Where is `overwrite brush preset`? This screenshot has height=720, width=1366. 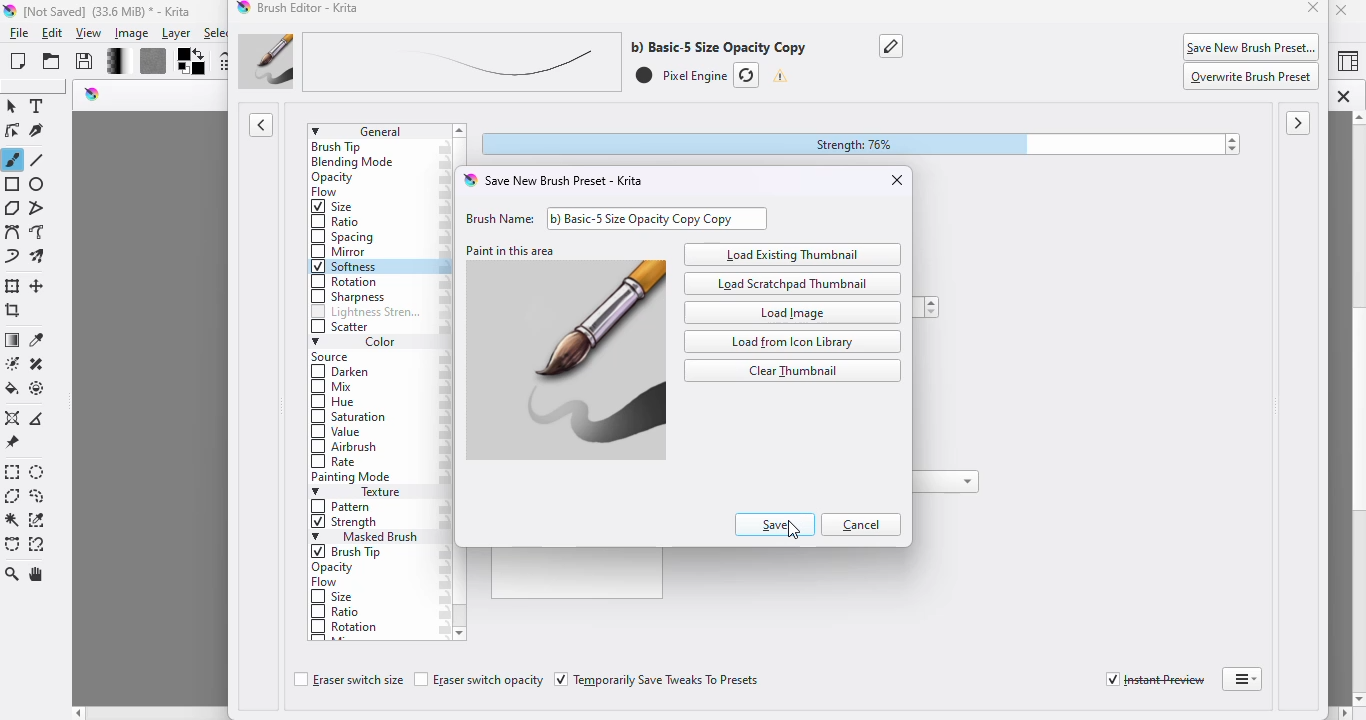
overwrite brush preset is located at coordinates (1253, 77).